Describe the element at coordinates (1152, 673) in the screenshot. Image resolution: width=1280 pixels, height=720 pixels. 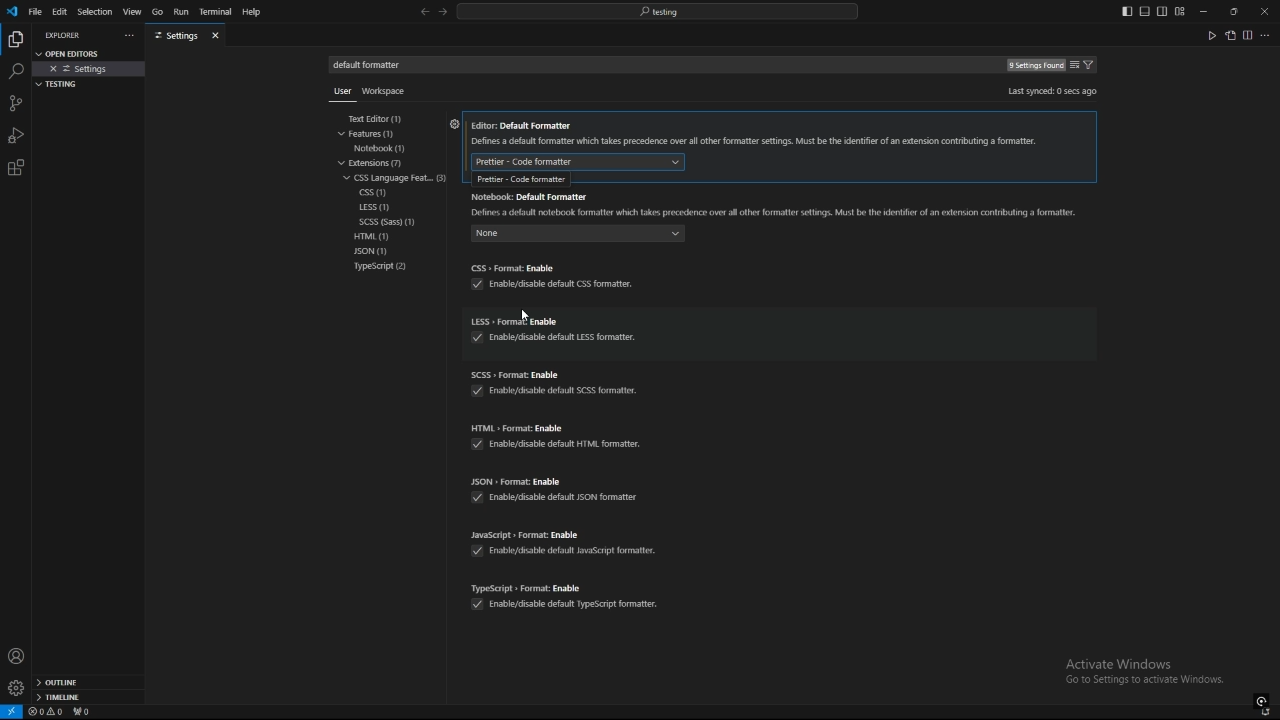
I see `Activate windows go to settings to activate windows` at that location.